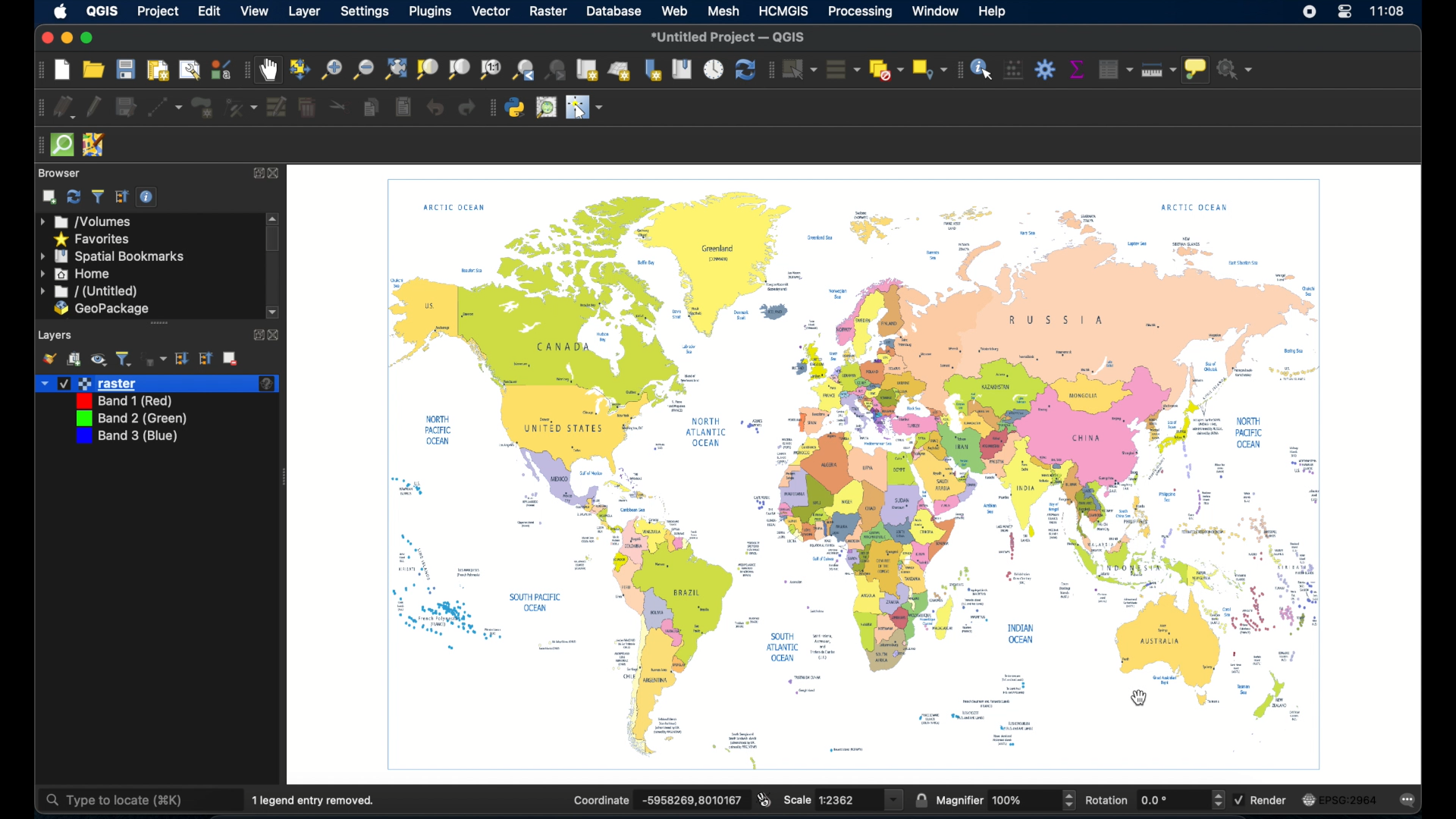  I want to click on screen recorder, so click(1311, 14).